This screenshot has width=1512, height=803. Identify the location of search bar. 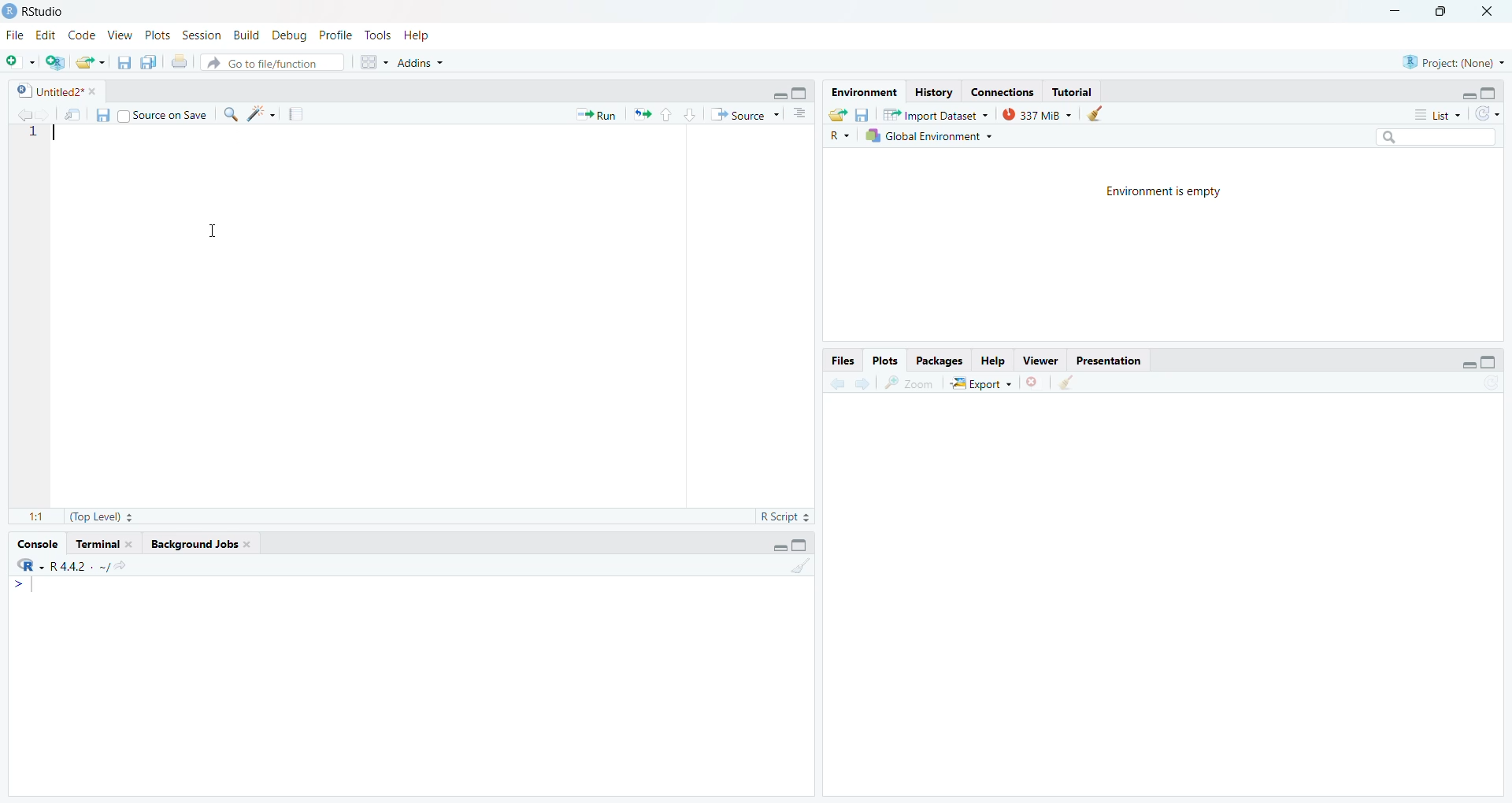
(1444, 139).